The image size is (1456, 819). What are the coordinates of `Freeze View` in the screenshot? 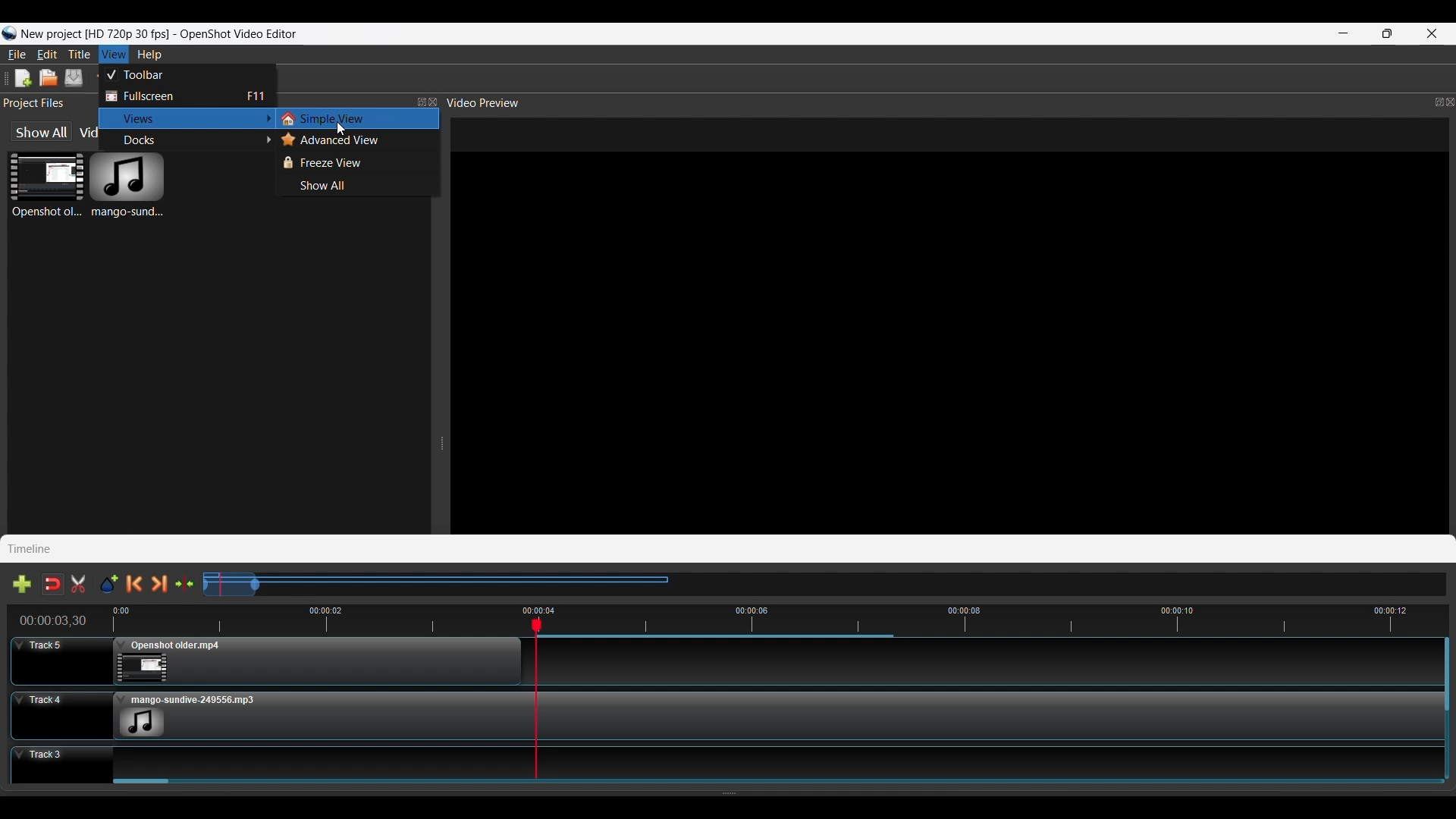 It's located at (353, 162).